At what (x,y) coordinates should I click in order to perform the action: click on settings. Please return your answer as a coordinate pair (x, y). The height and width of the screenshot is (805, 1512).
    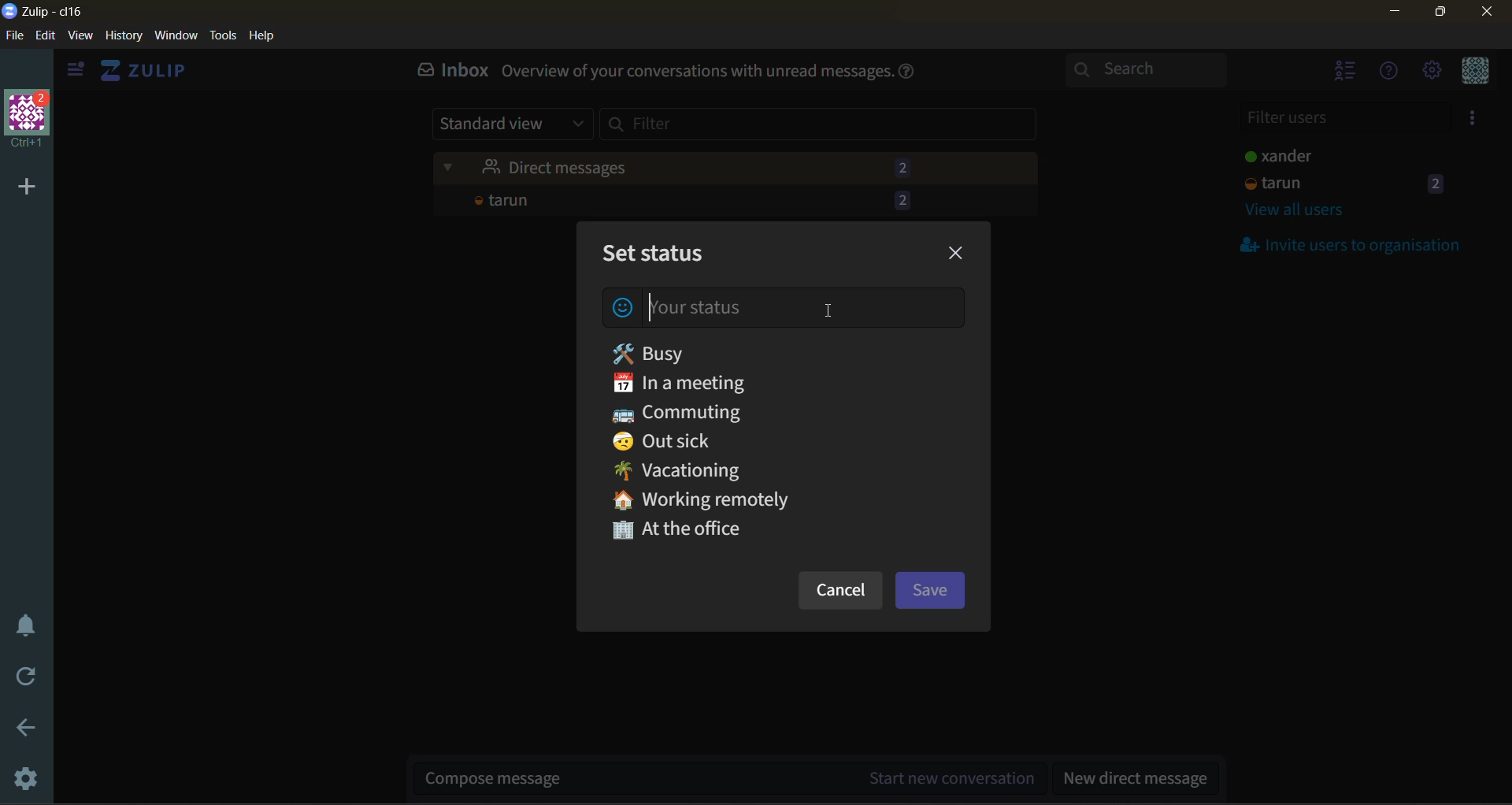
    Looking at the image, I should click on (25, 779).